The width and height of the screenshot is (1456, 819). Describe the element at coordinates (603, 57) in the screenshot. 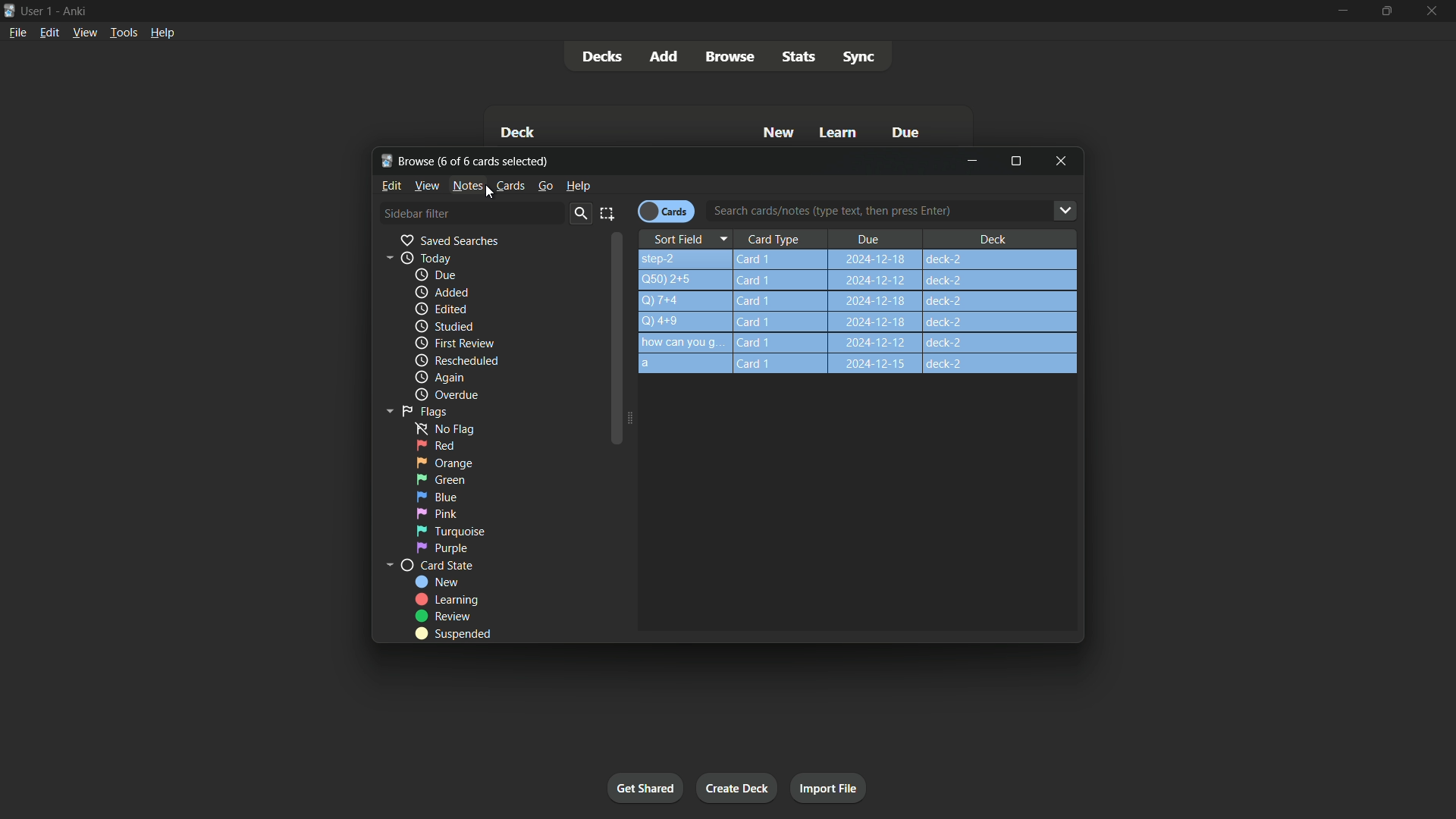

I see `Decks` at that location.